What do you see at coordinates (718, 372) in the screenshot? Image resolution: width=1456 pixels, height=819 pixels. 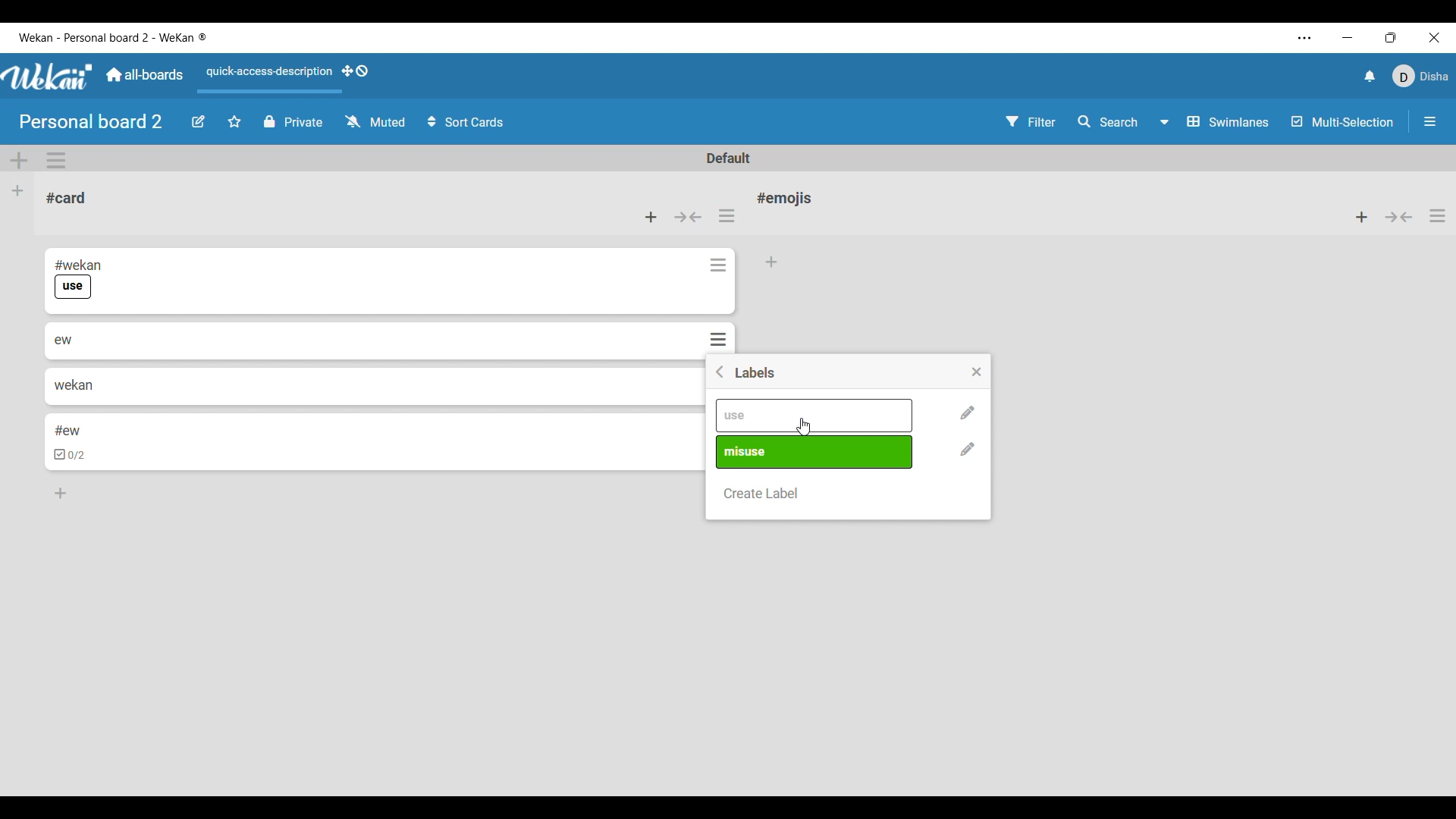 I see `Go back` at bounding box center [718, 372].